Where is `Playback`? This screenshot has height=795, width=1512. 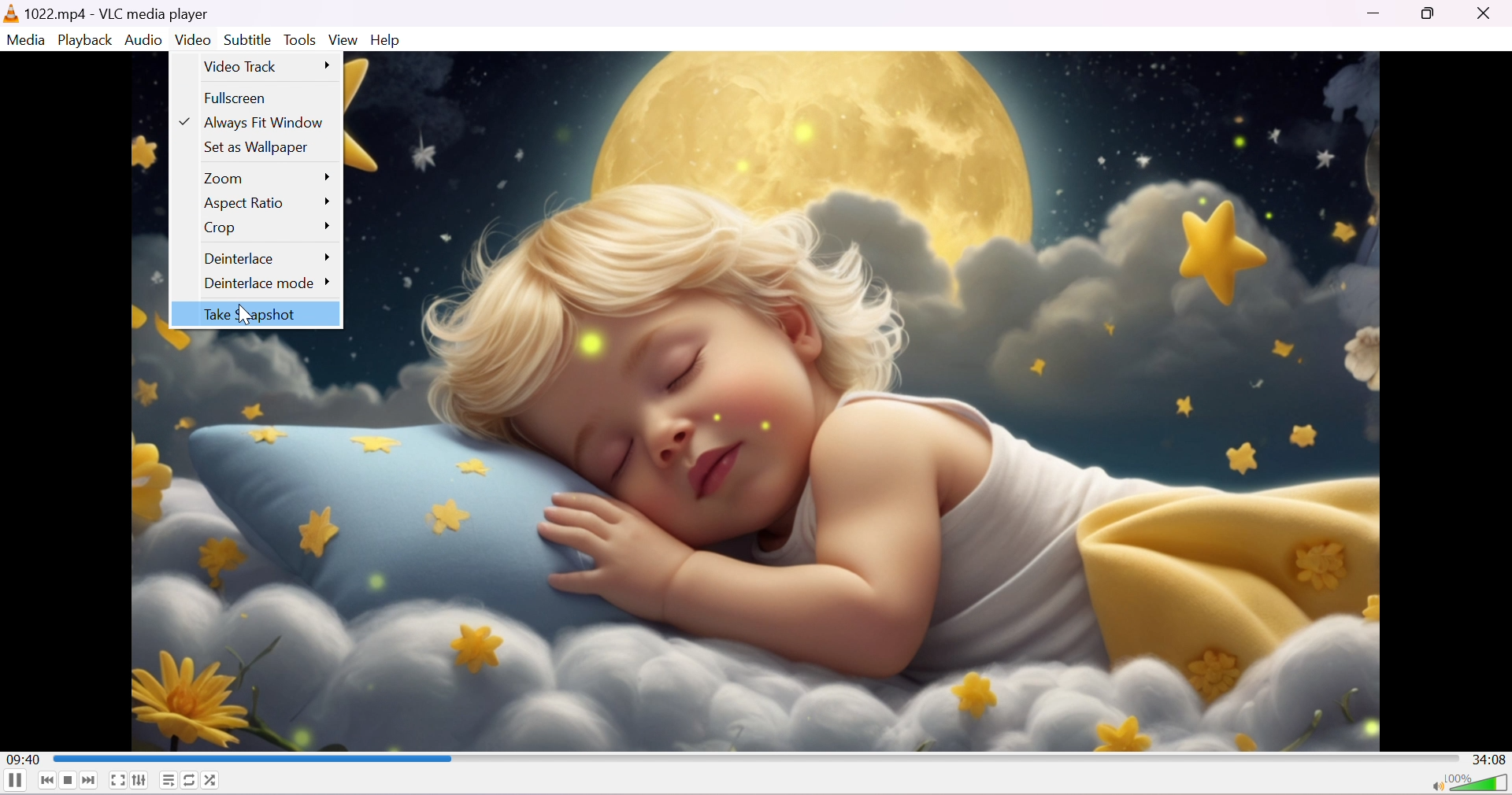 Playback is located at coordinates (85, 41).